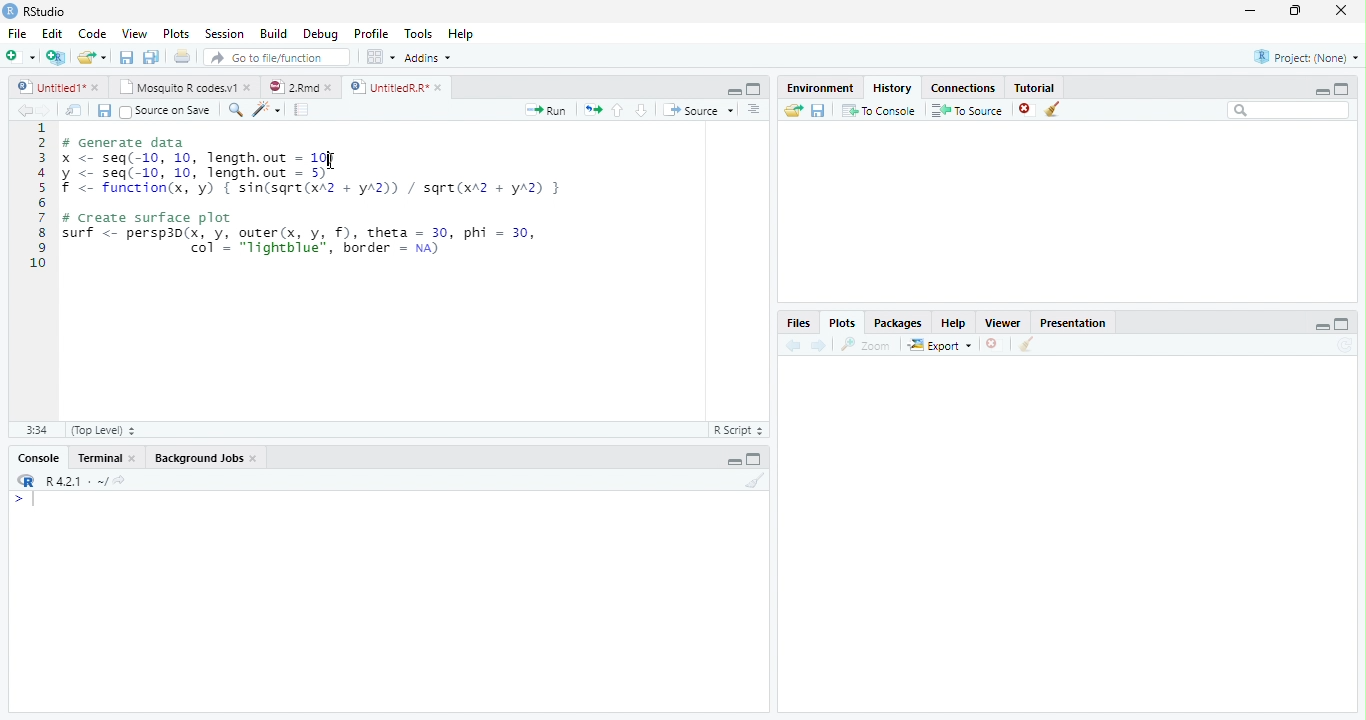 The height and width of the screenshot is (720, 1366). I want to click on 1:1, so click(37, 430).